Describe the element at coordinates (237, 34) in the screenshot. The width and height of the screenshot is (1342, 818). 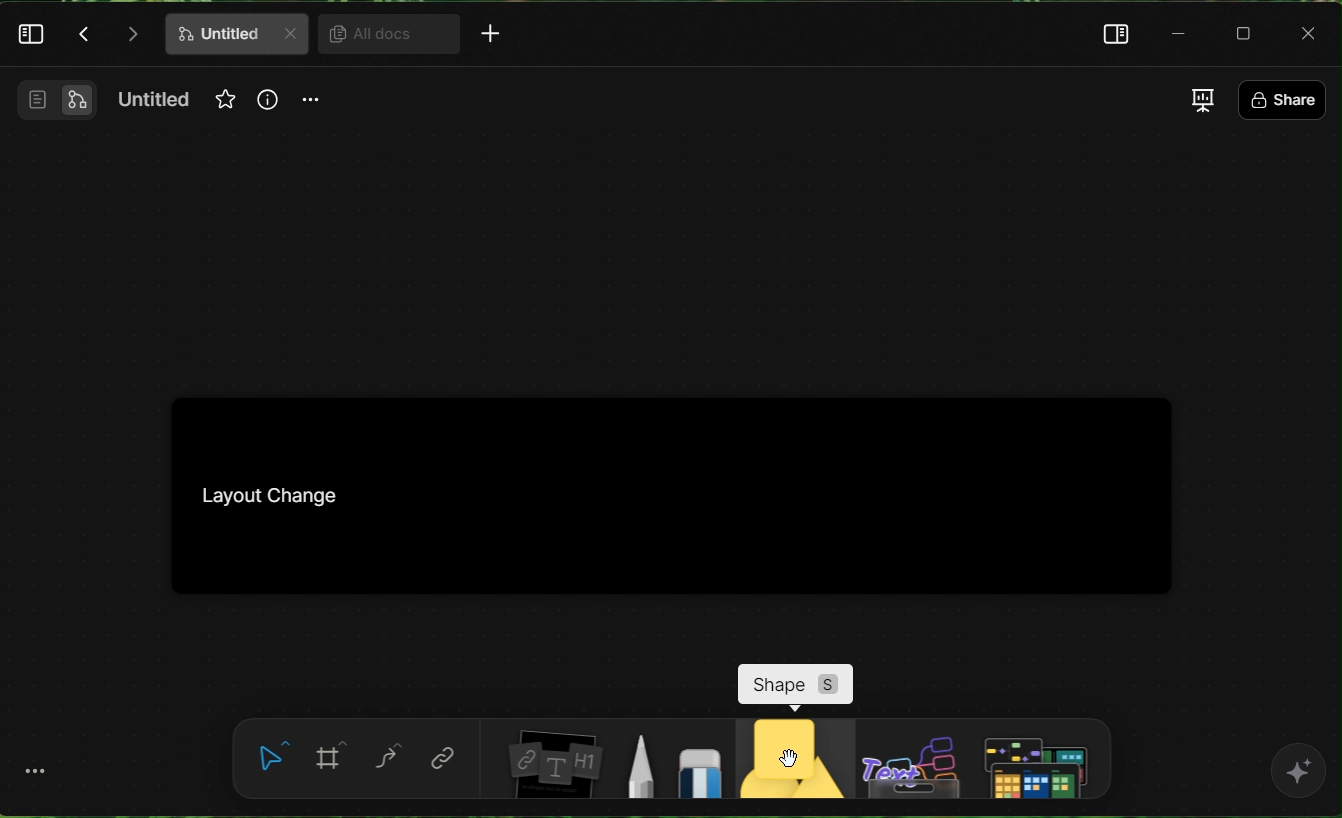
I see `doc` at that location.